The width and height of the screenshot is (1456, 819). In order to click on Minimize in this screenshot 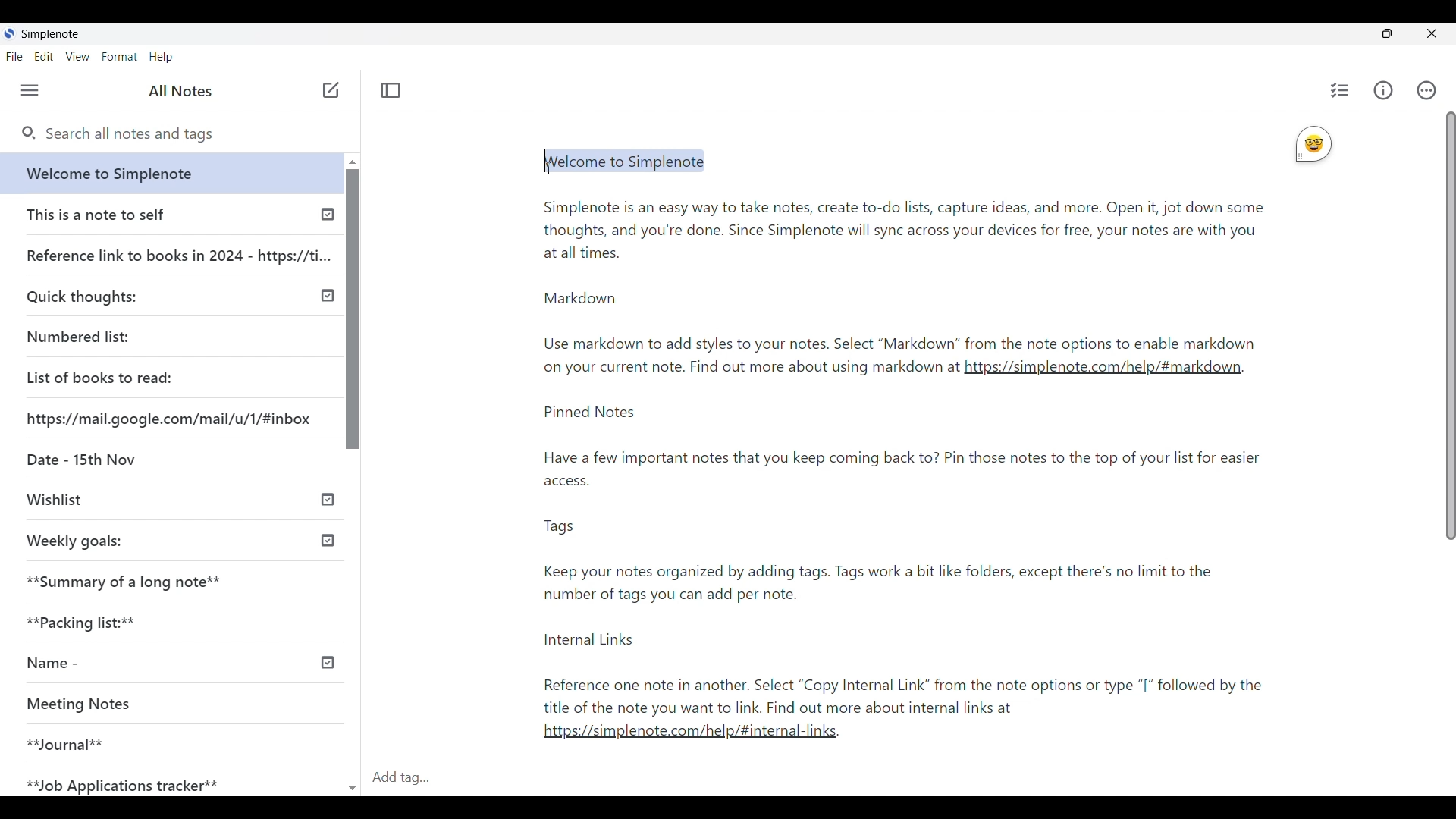, I will do `click(1343, 33)`.